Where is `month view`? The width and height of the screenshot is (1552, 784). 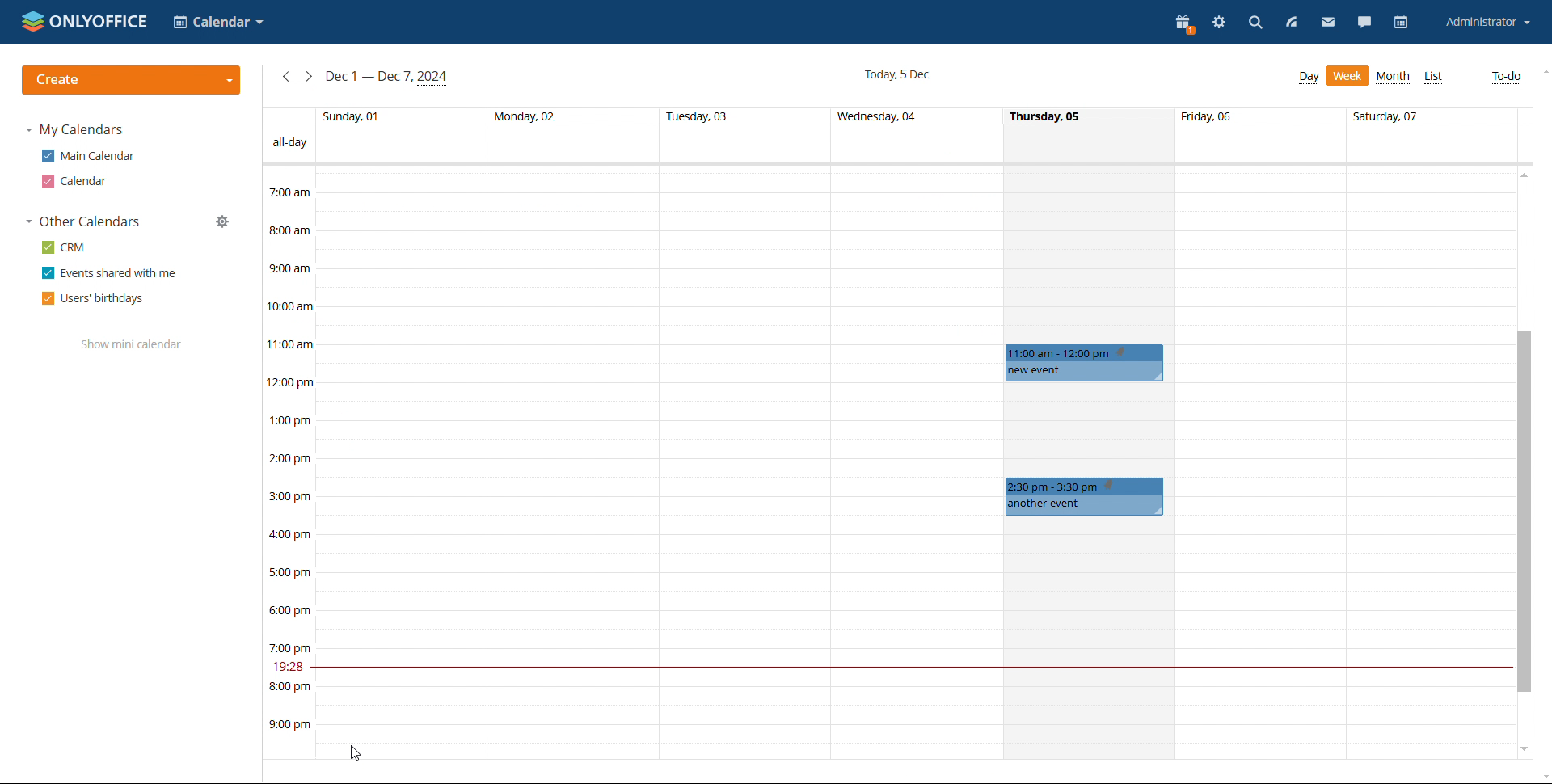
month view is located at coordinates (1394, 78).